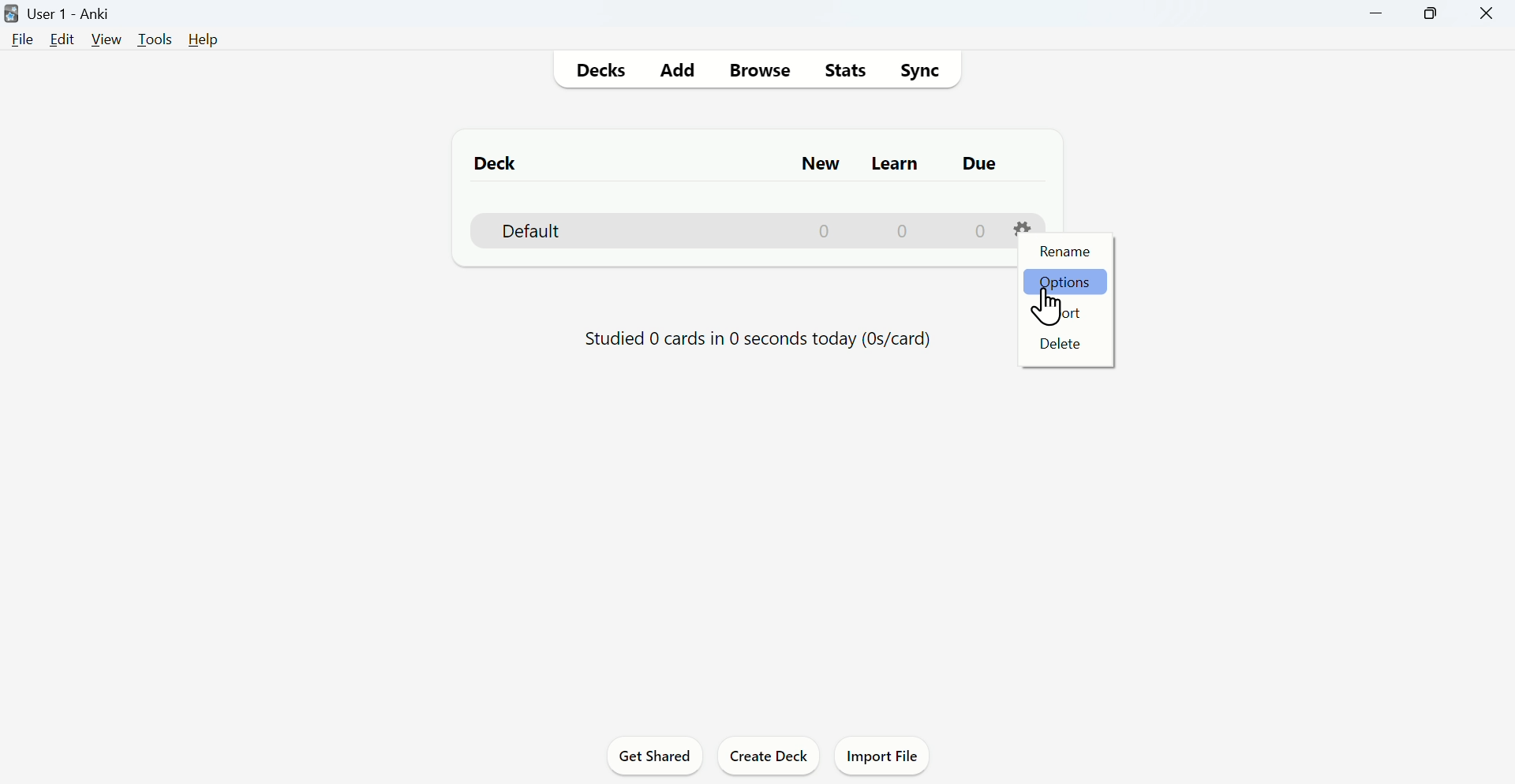 The height and width of the screenshot is (784, 1515). I want to click on Delete, so click(1060, 343).